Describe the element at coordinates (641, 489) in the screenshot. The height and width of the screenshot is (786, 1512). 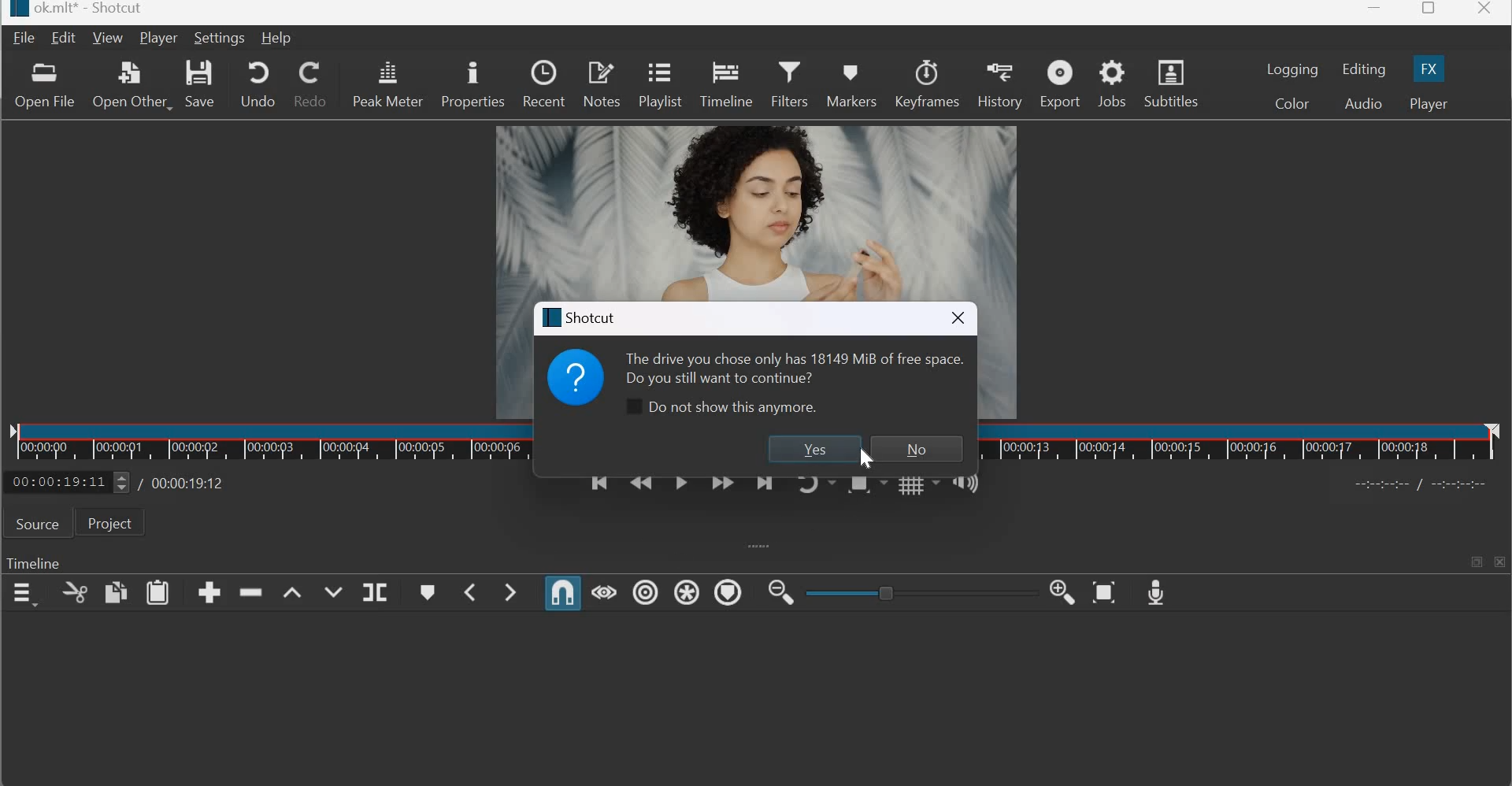
I see `Play quickly backwards` at that location.